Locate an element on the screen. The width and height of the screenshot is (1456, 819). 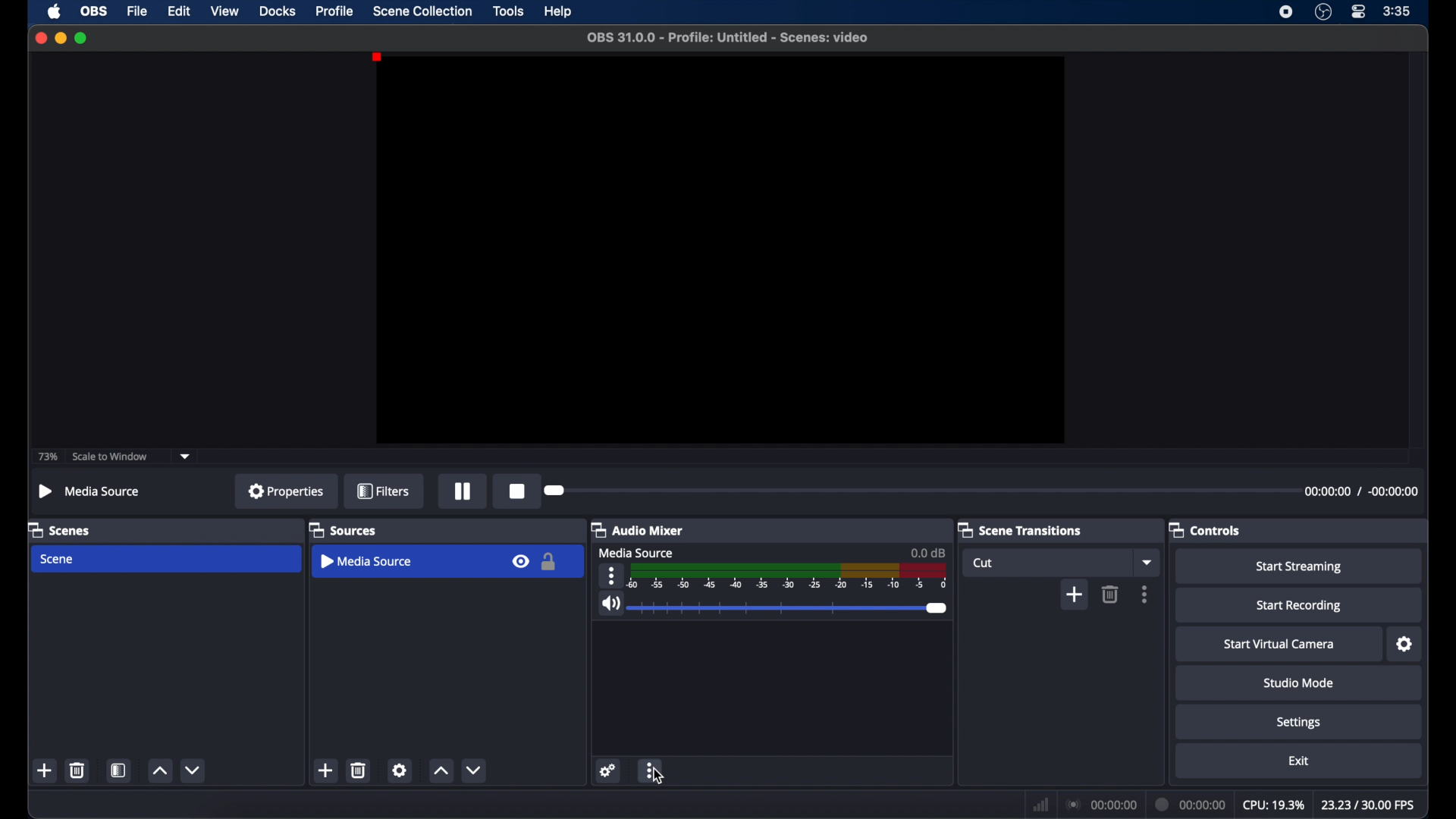
increment is located at coordinates (159, 770).